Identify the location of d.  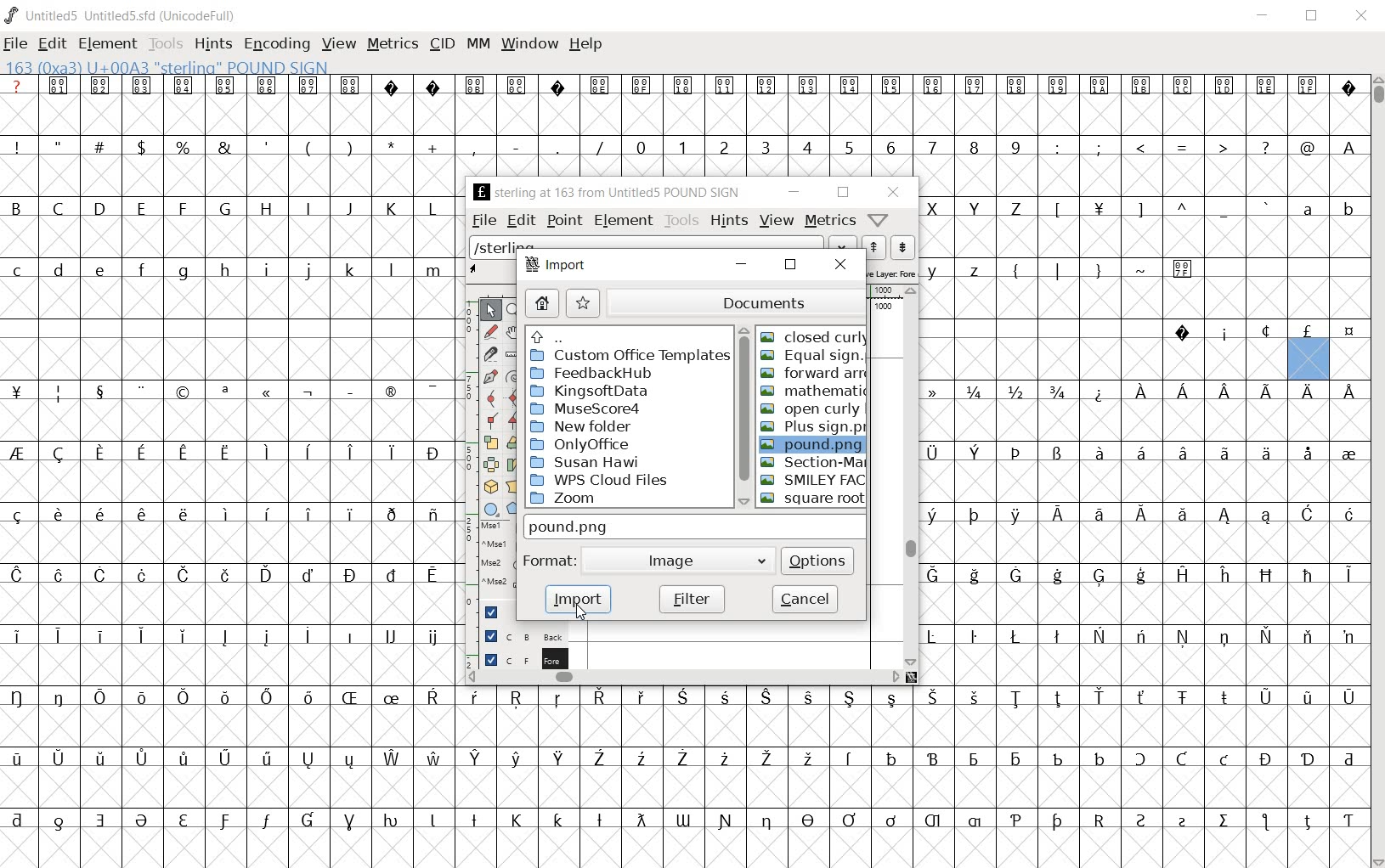
(59, 272).